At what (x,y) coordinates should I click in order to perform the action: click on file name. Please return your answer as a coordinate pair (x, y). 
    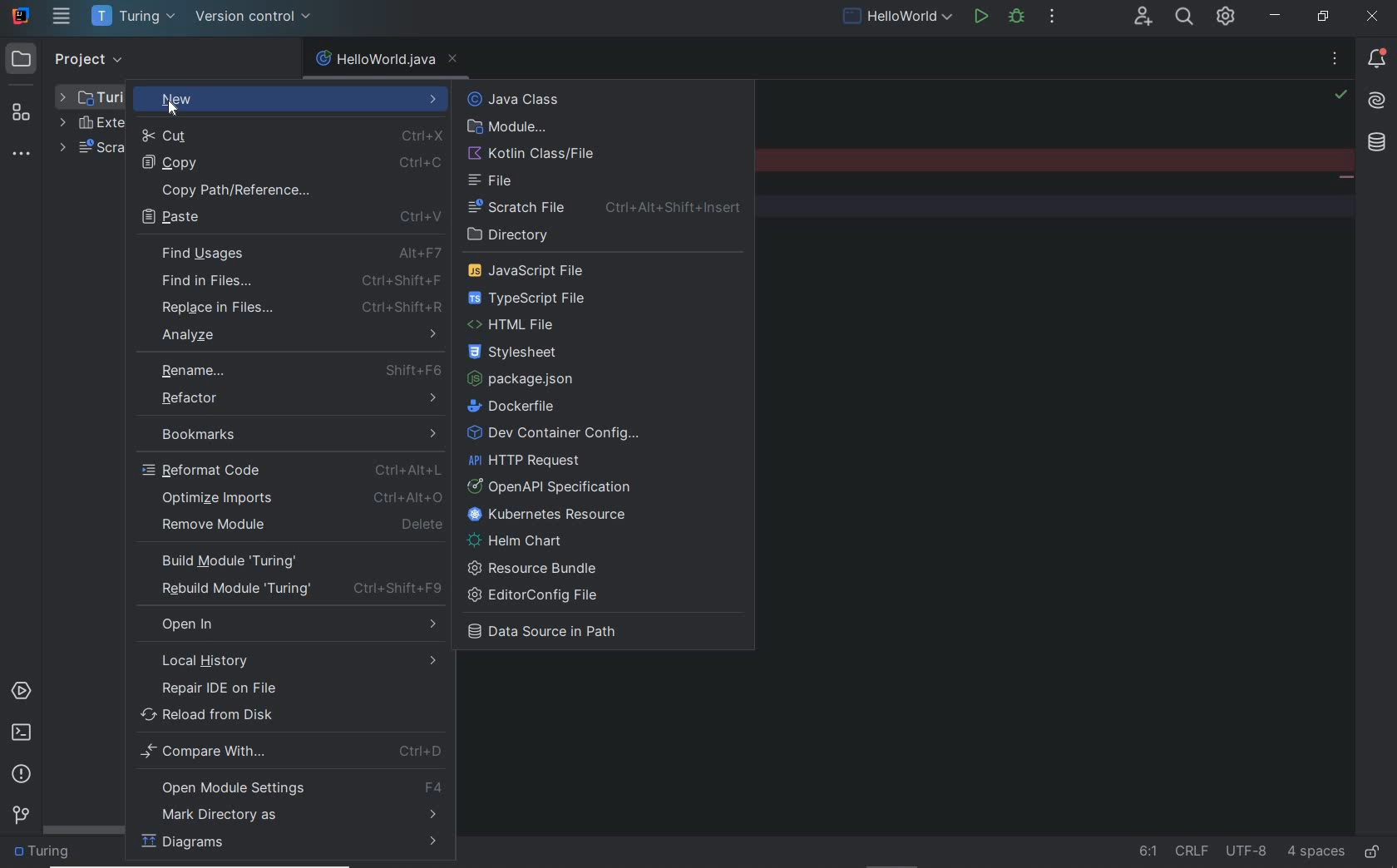
    Looking at the image, I should click on (375, 60).